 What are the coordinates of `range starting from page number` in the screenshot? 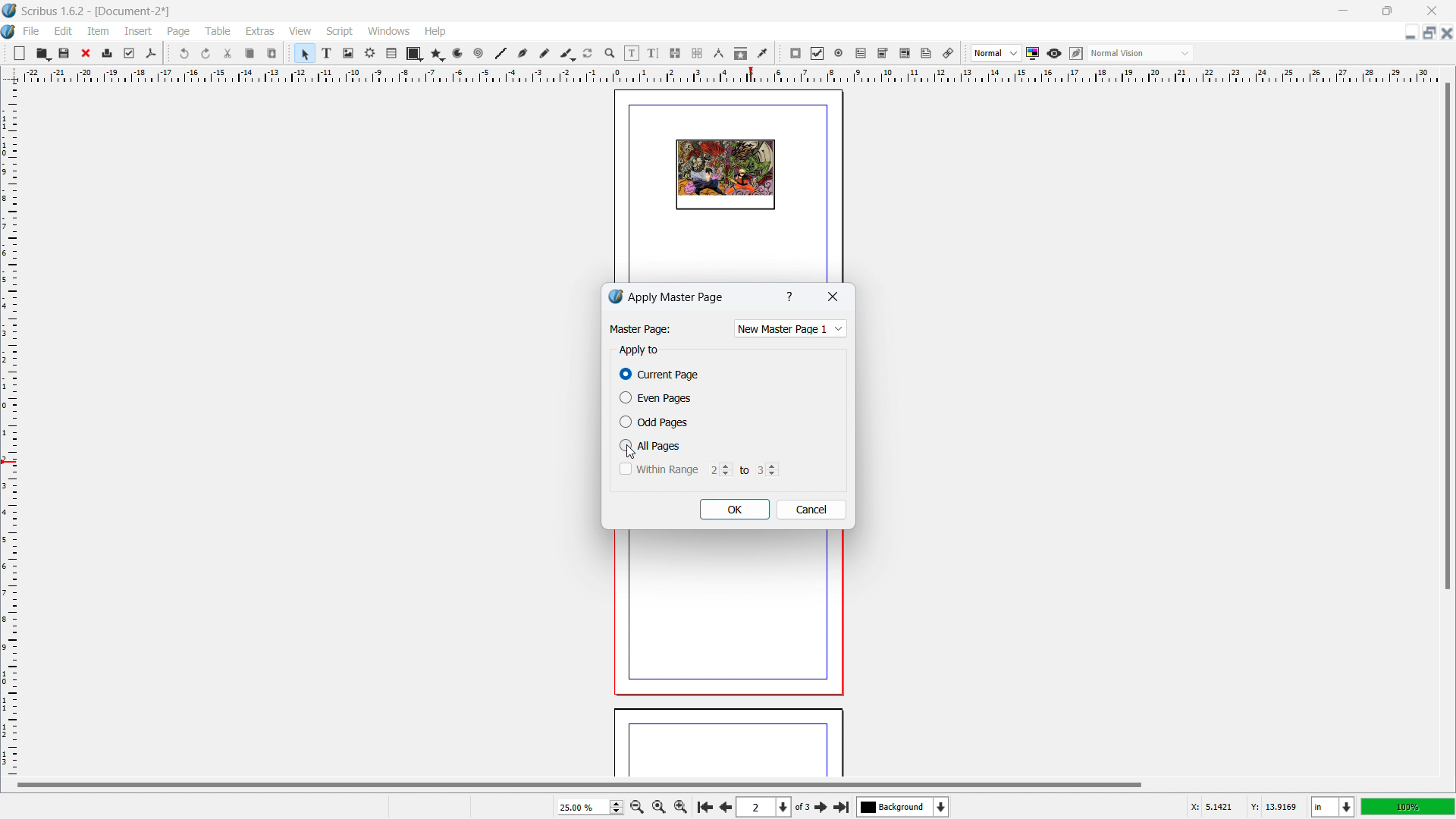 It's located at (718, 469).